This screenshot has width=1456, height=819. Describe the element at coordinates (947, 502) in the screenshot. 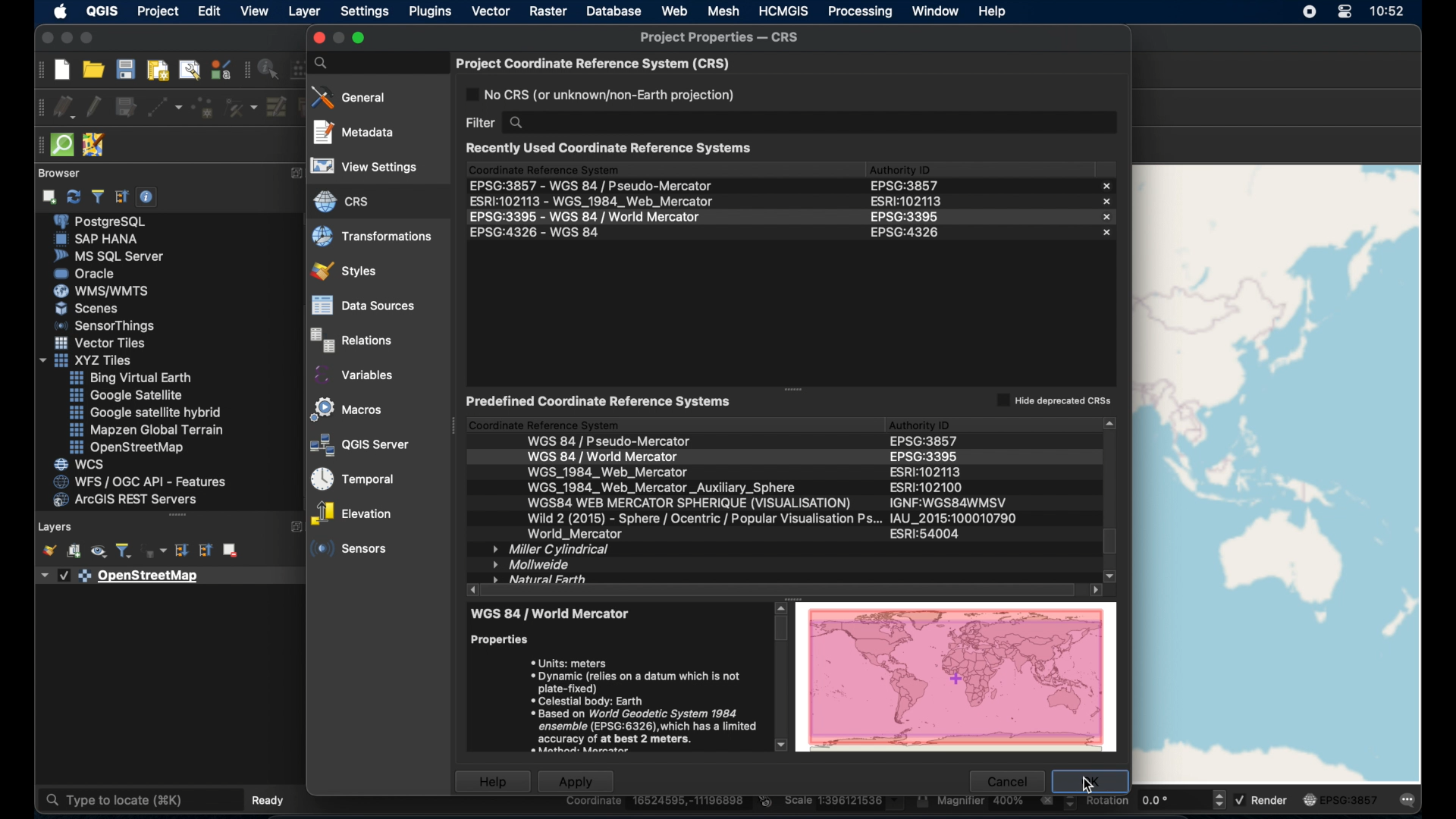

I see `authority id` at that location.